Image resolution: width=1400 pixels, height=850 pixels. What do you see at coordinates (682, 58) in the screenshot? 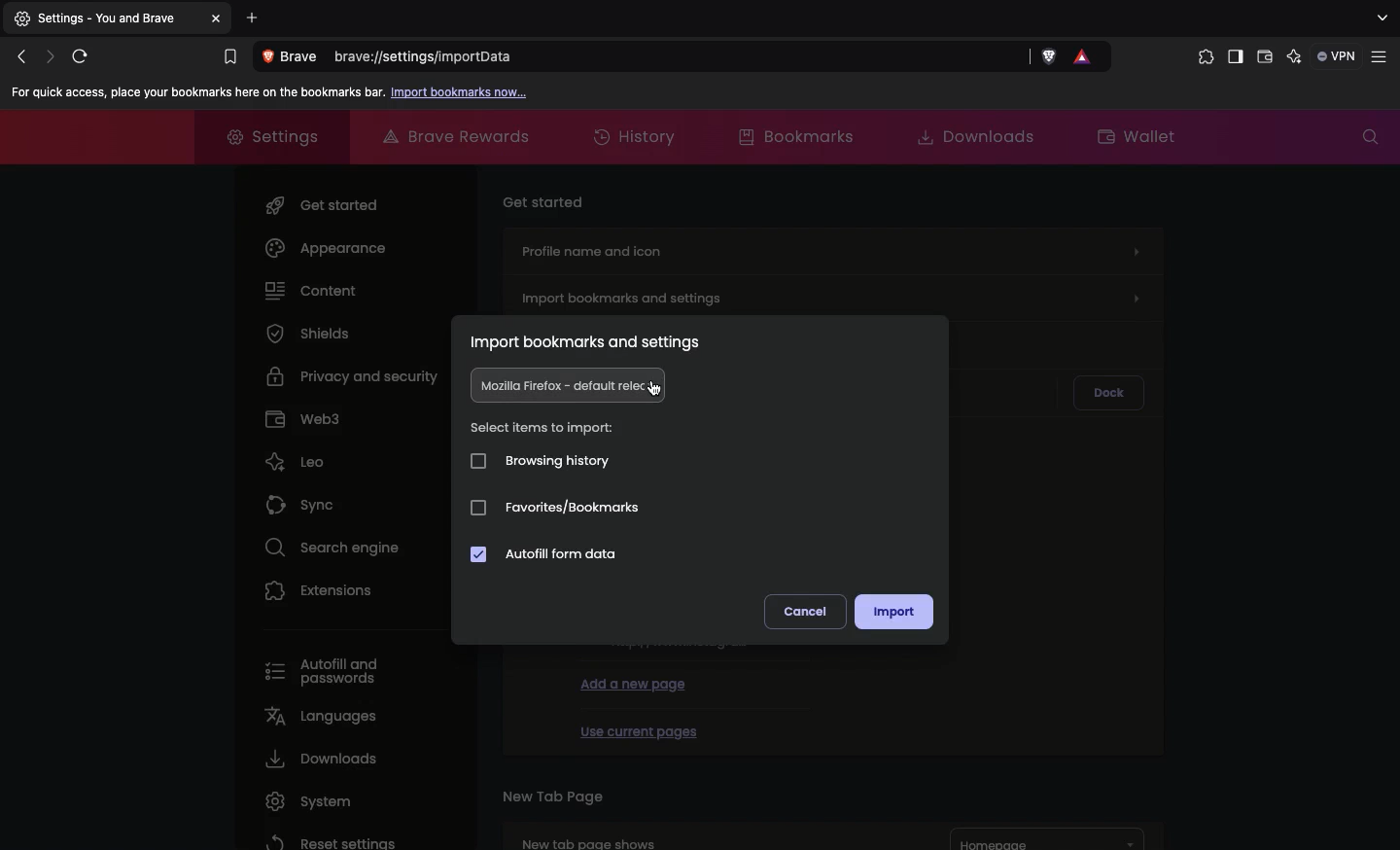
I see `brave://settings/importdata` at bounding box center [682, 58].